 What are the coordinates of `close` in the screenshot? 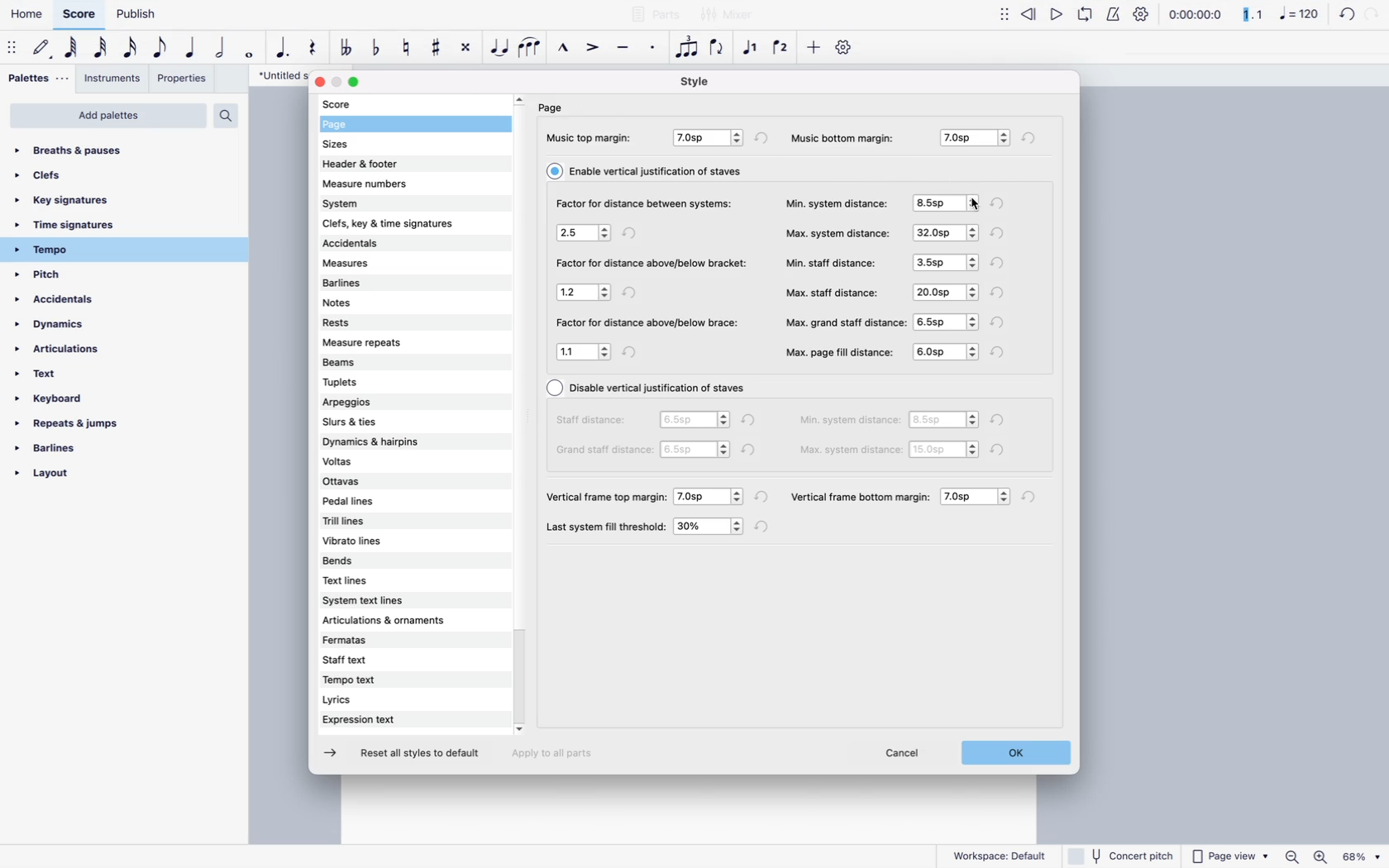 It's located at (318, 83).